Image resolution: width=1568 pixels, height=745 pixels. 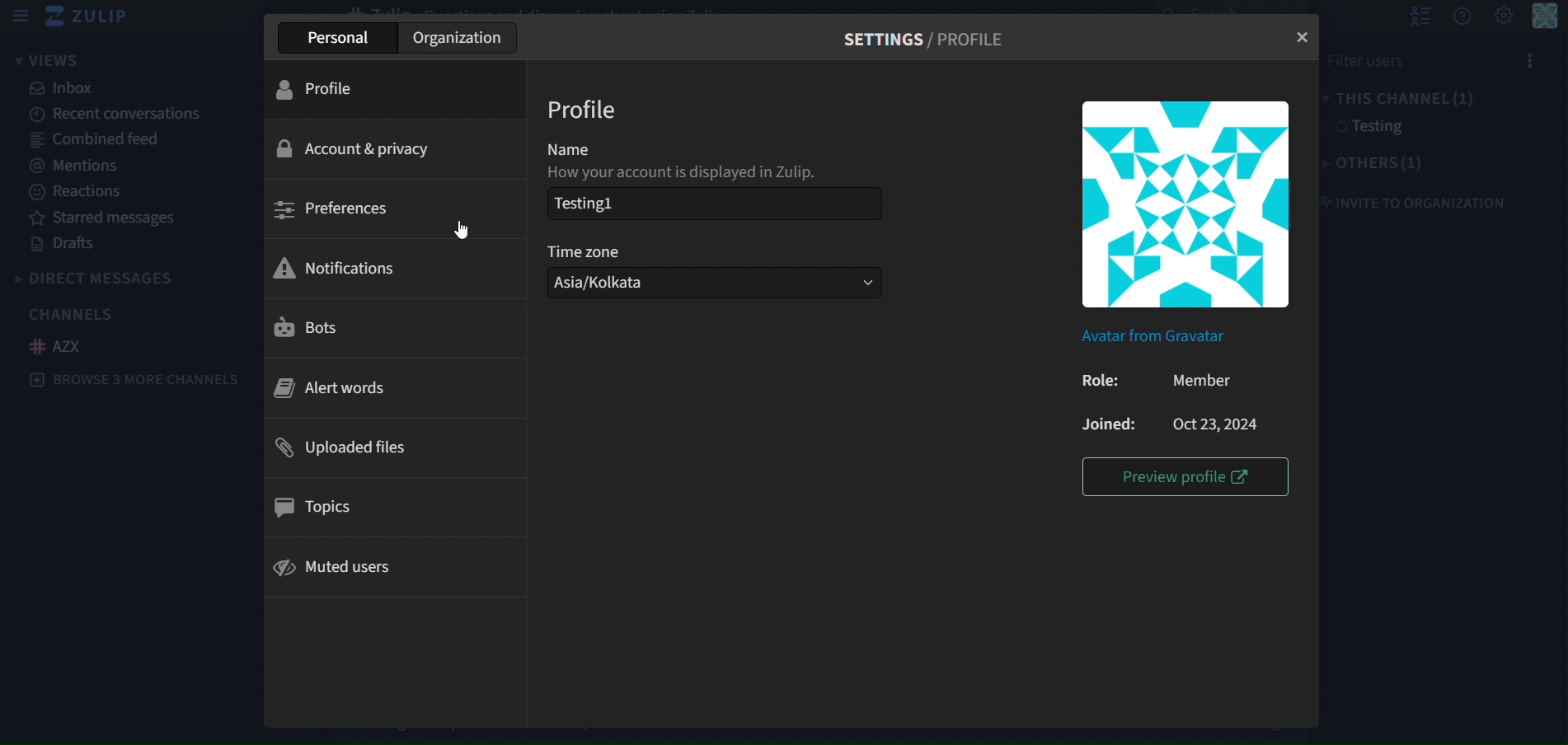 What do you see at coordinates (73, 315) in the screenshot?
I see `channels` at bounding box center [73, 315].